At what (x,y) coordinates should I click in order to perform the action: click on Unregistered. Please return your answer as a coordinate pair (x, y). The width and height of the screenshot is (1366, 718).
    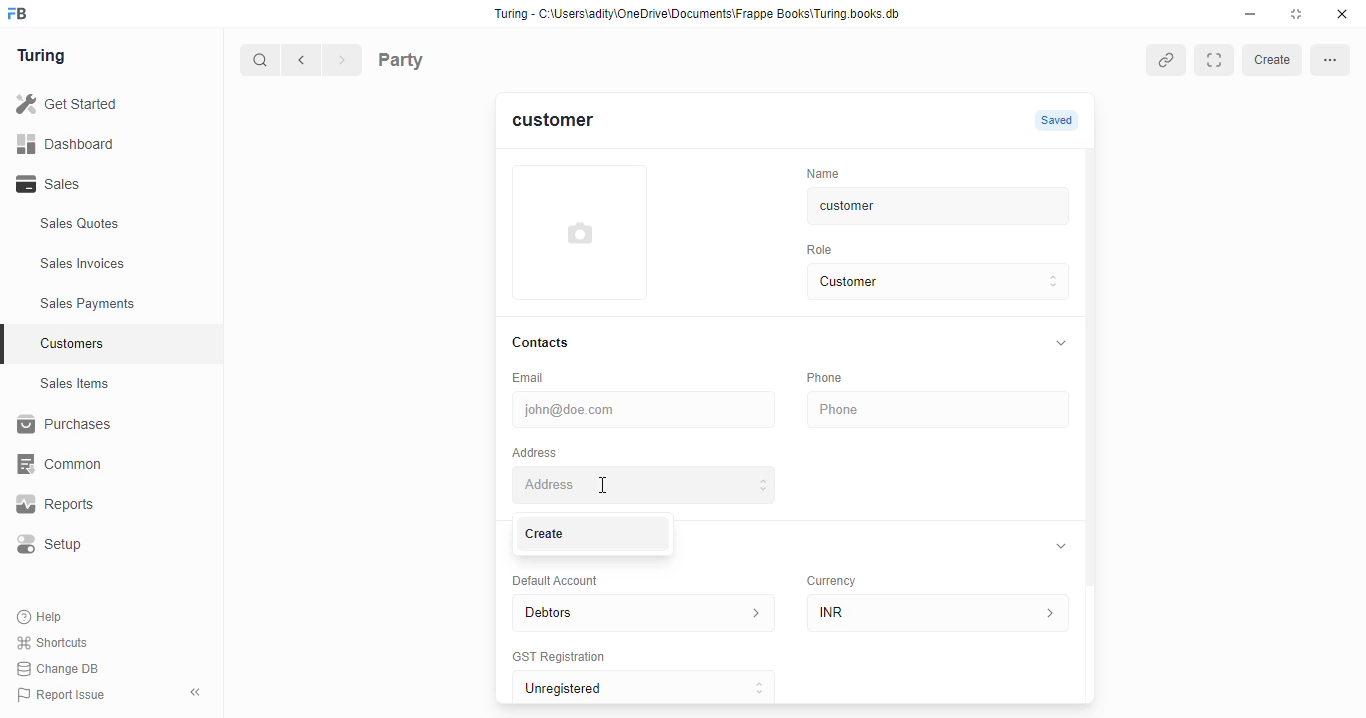
    Looking at the image, I should click on (646, 684).